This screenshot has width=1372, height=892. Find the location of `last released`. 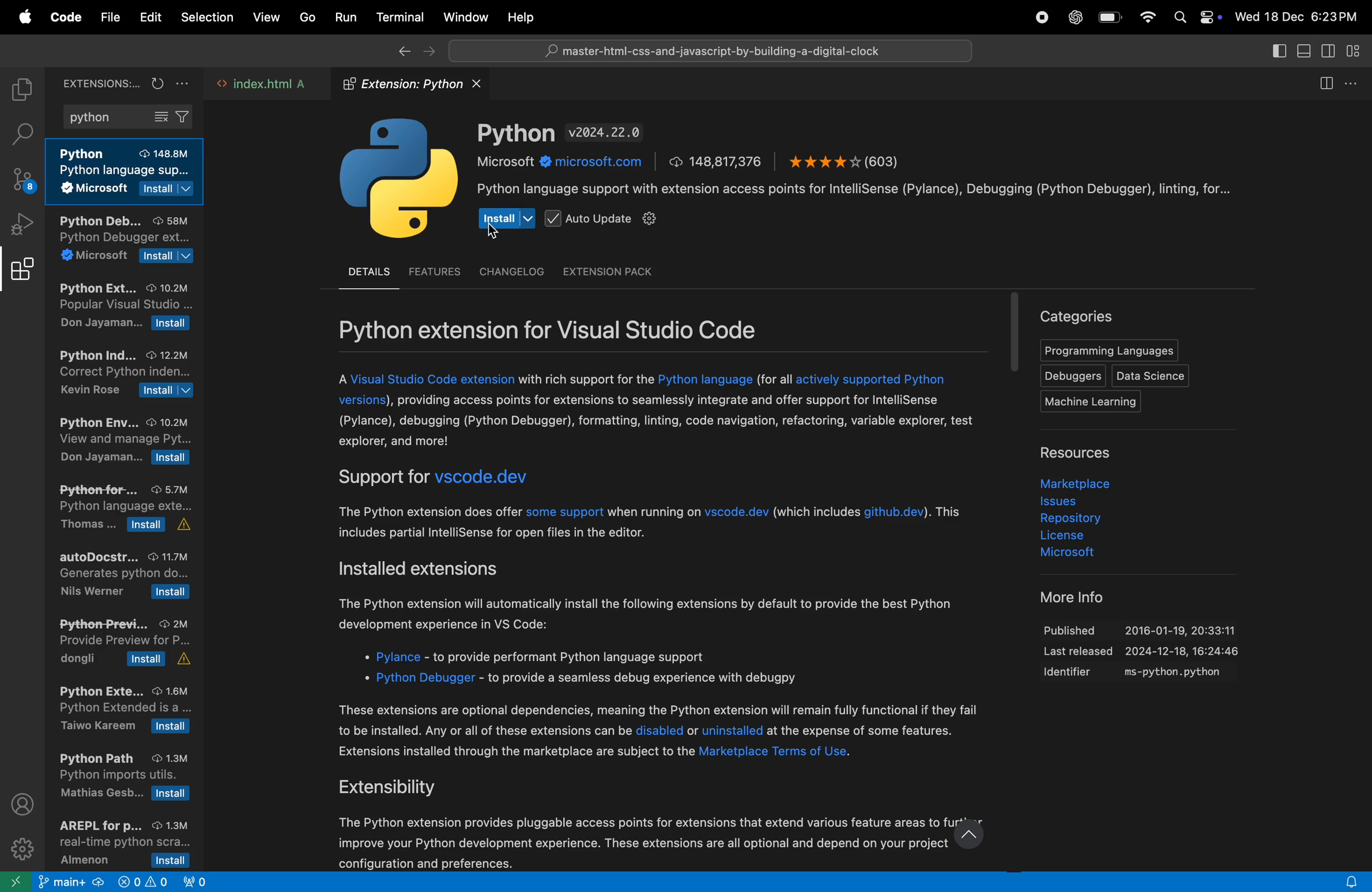

last released is located at coordinates (1146, 653).